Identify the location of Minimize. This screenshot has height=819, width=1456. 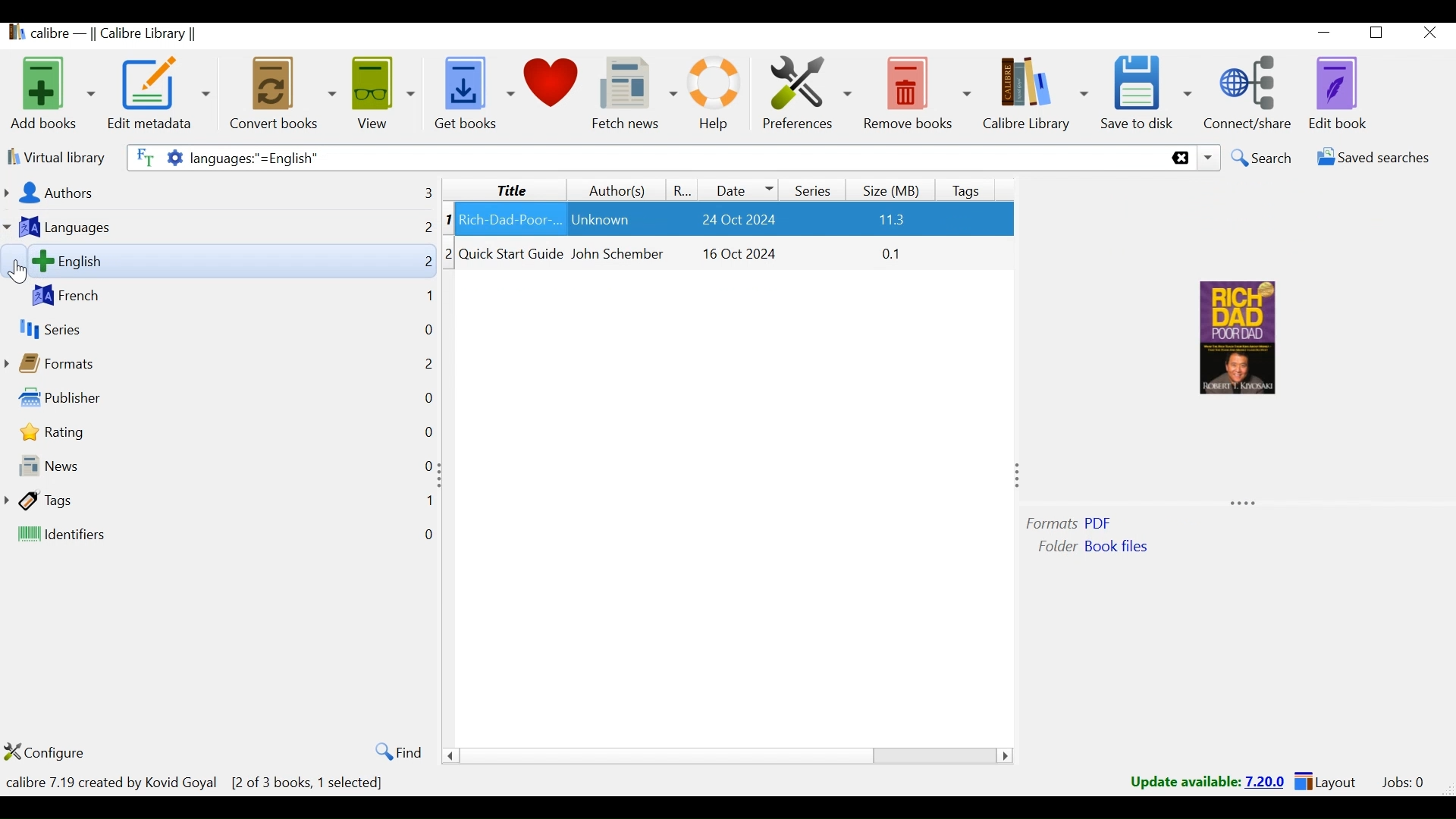
(1326, 35).